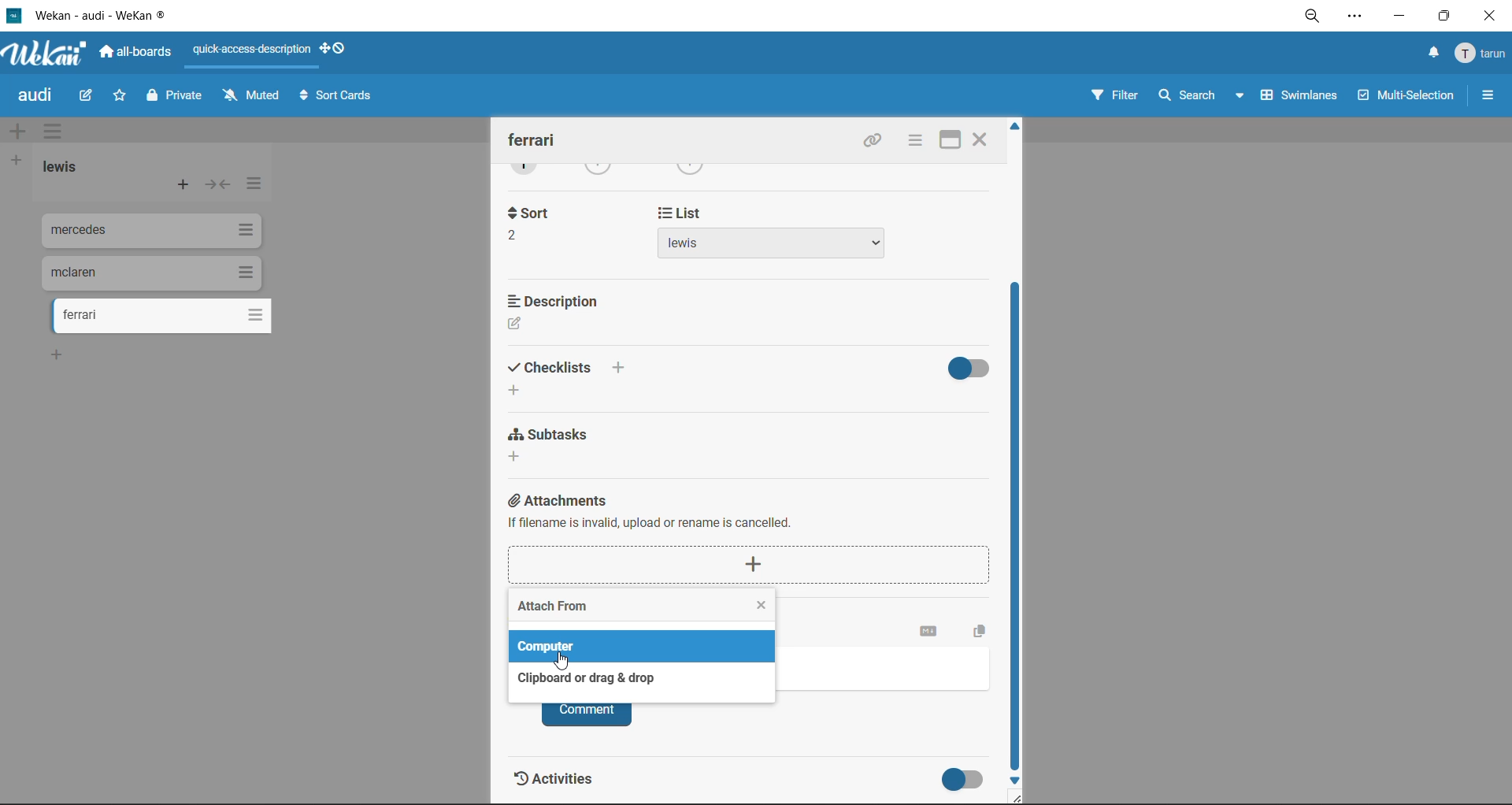 This screenshot has height=805, width=1512. What do you see at coordinates (947, 142) in the screenshot?
I see `maximize` at bounding box center [947, 142].